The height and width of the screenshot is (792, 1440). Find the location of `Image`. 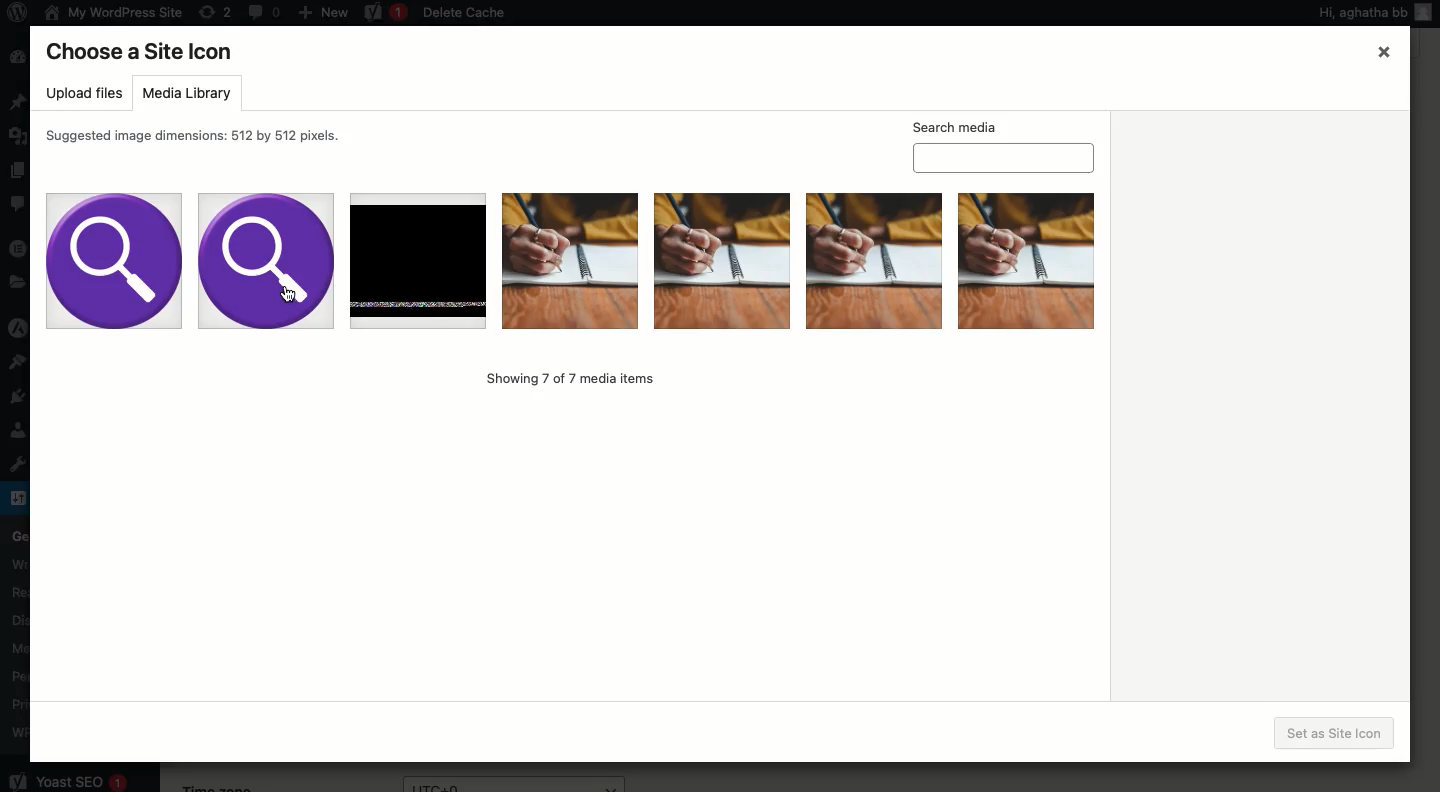

Image is located at coordinates (568, 258).